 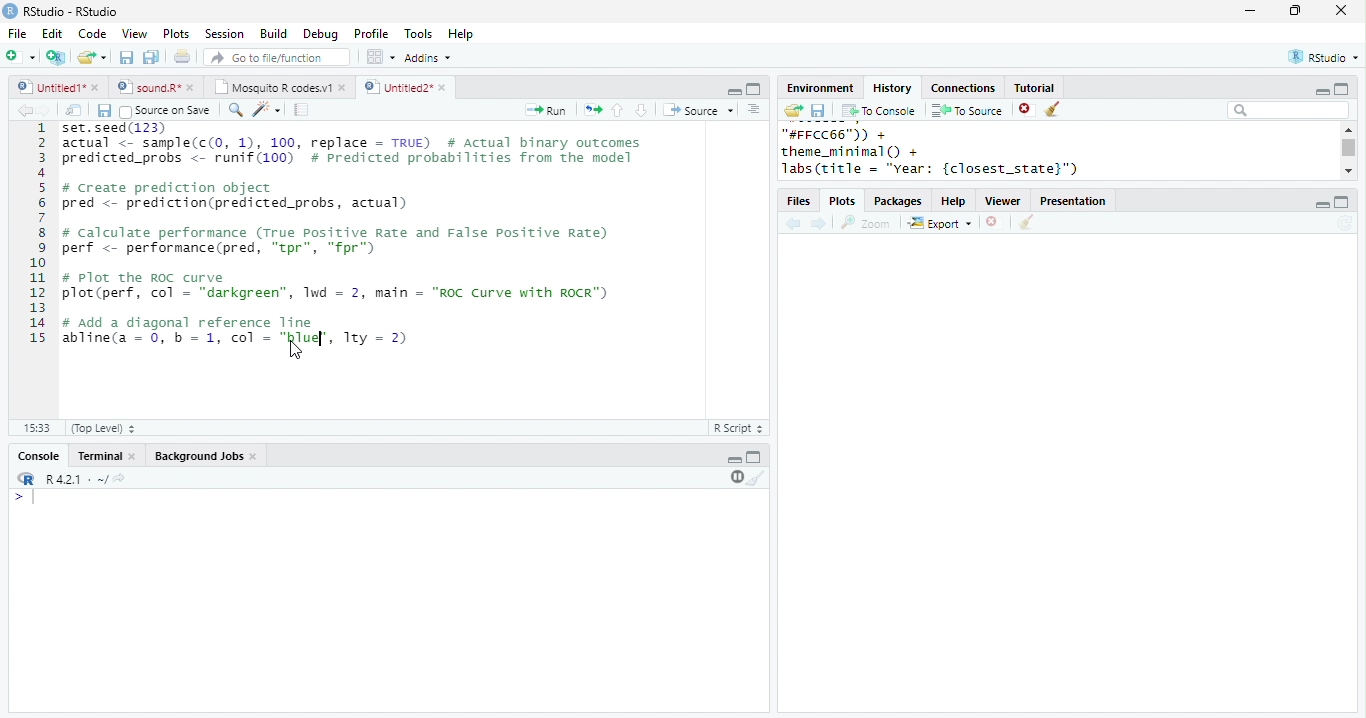 I want to click on close, so click(x=344, y=87).